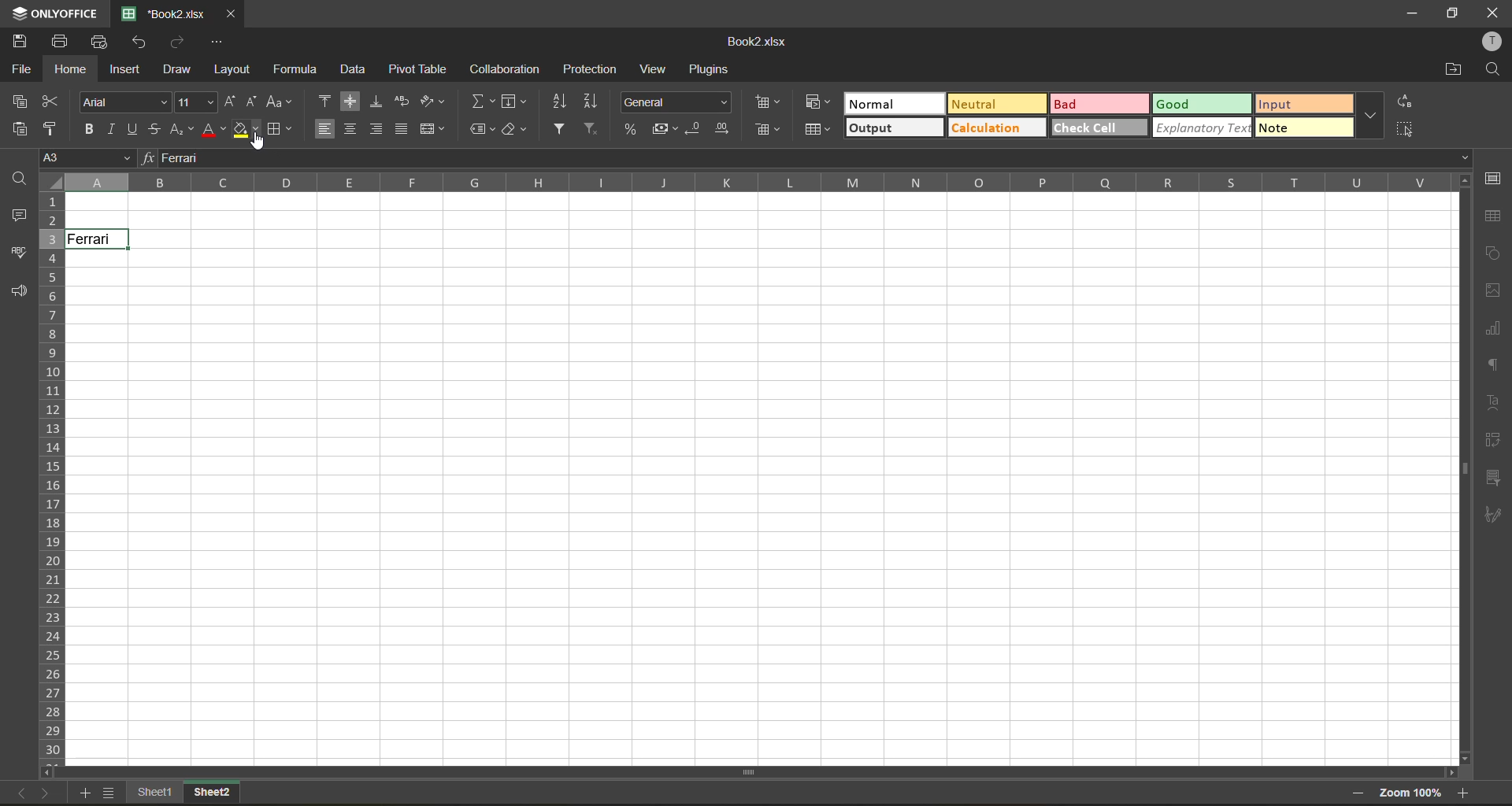  What do you see at coordinates (1464, 792) in the screenshot?
I see `zoom in` at bounding box center [1464, 792].